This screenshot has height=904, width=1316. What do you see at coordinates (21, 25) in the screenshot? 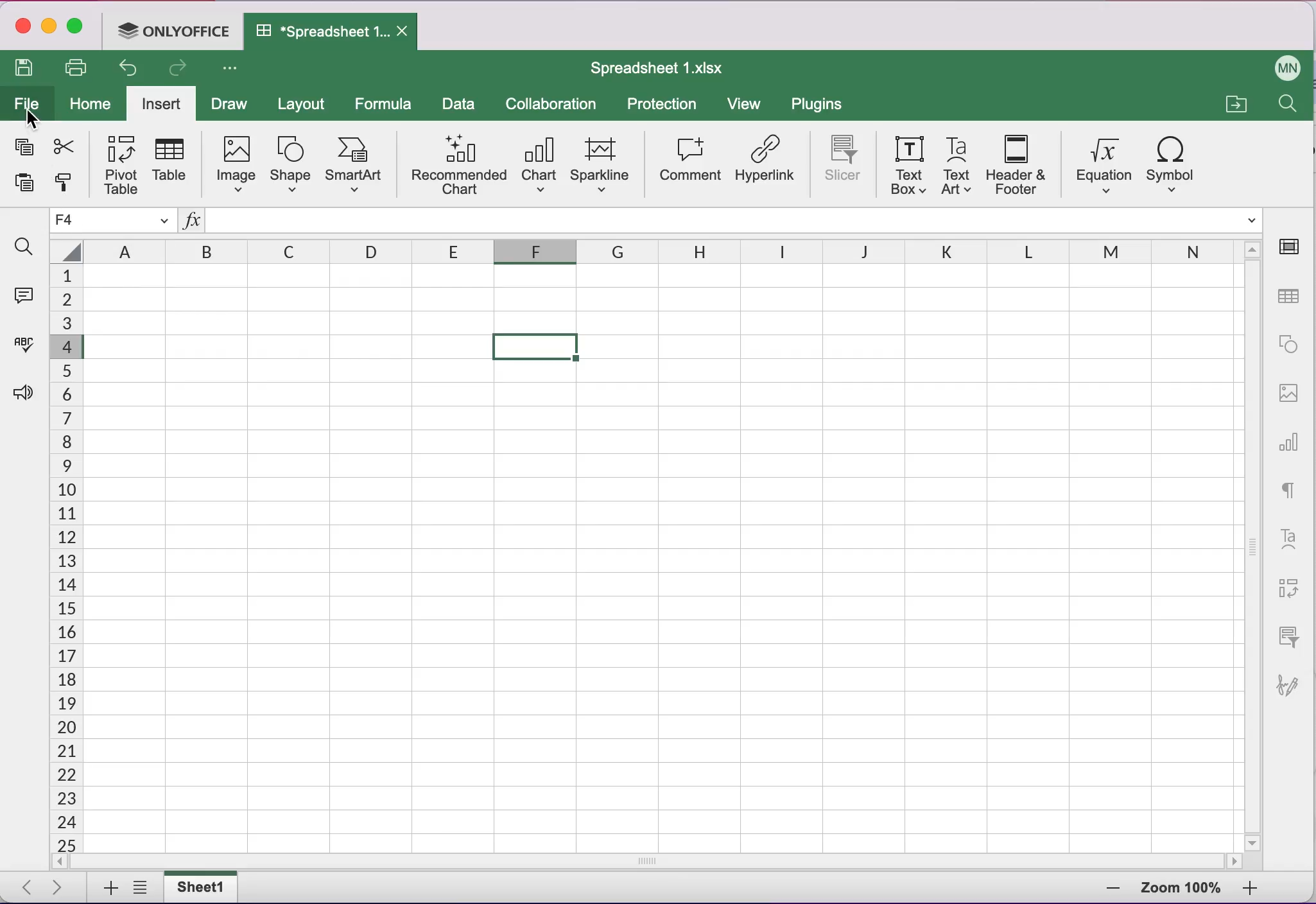
I see `close` at bounding box center [21, 25].